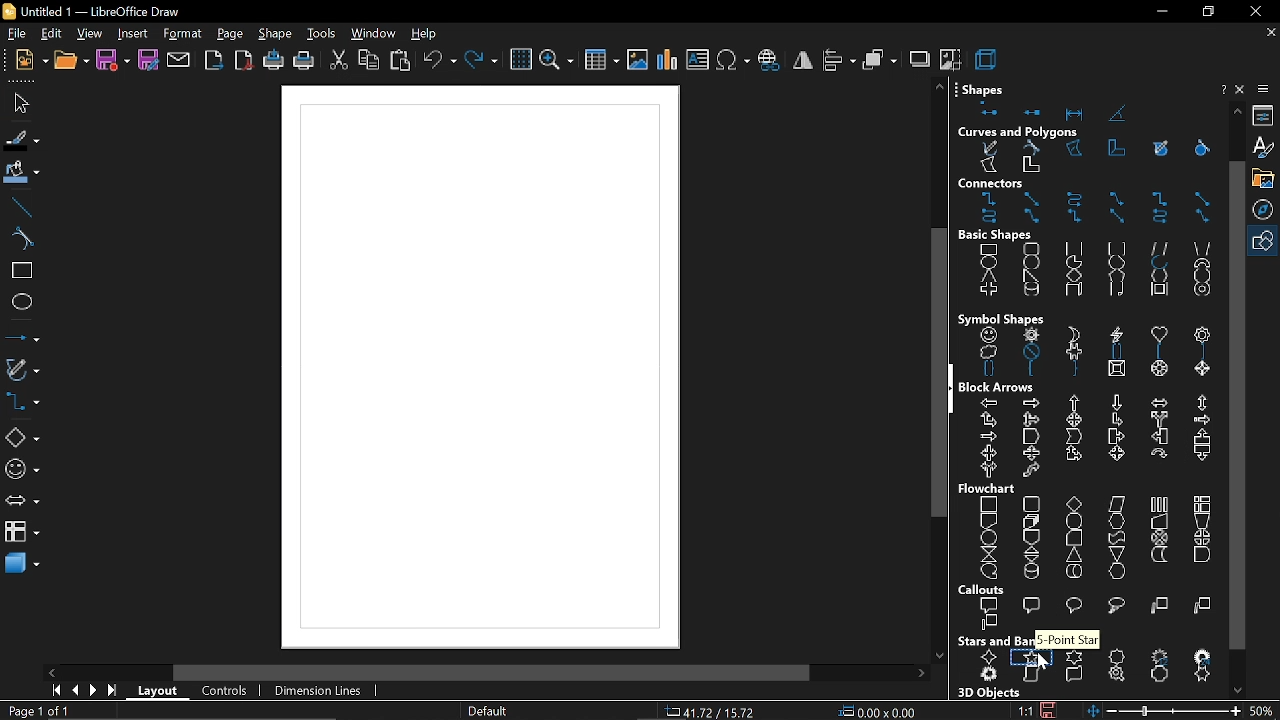 This screenshot has height=720, width=1280. What do you see at coordinates (23, 371) in the screenshot?
I see `curves and polygons` at bounding box center [23, 371].